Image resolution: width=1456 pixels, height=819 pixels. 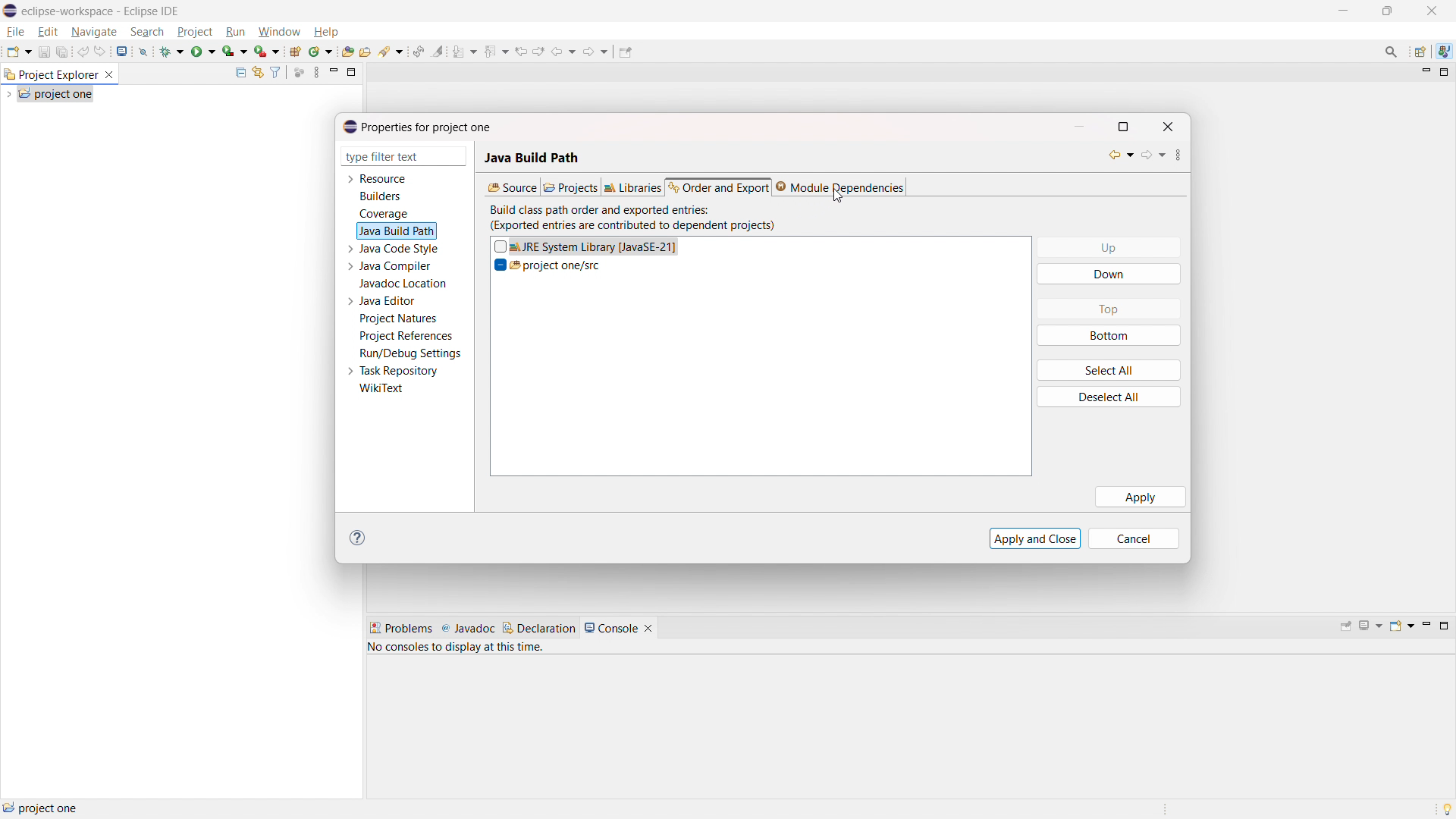 I want to click on javadoc, so click(x=468, y=629).